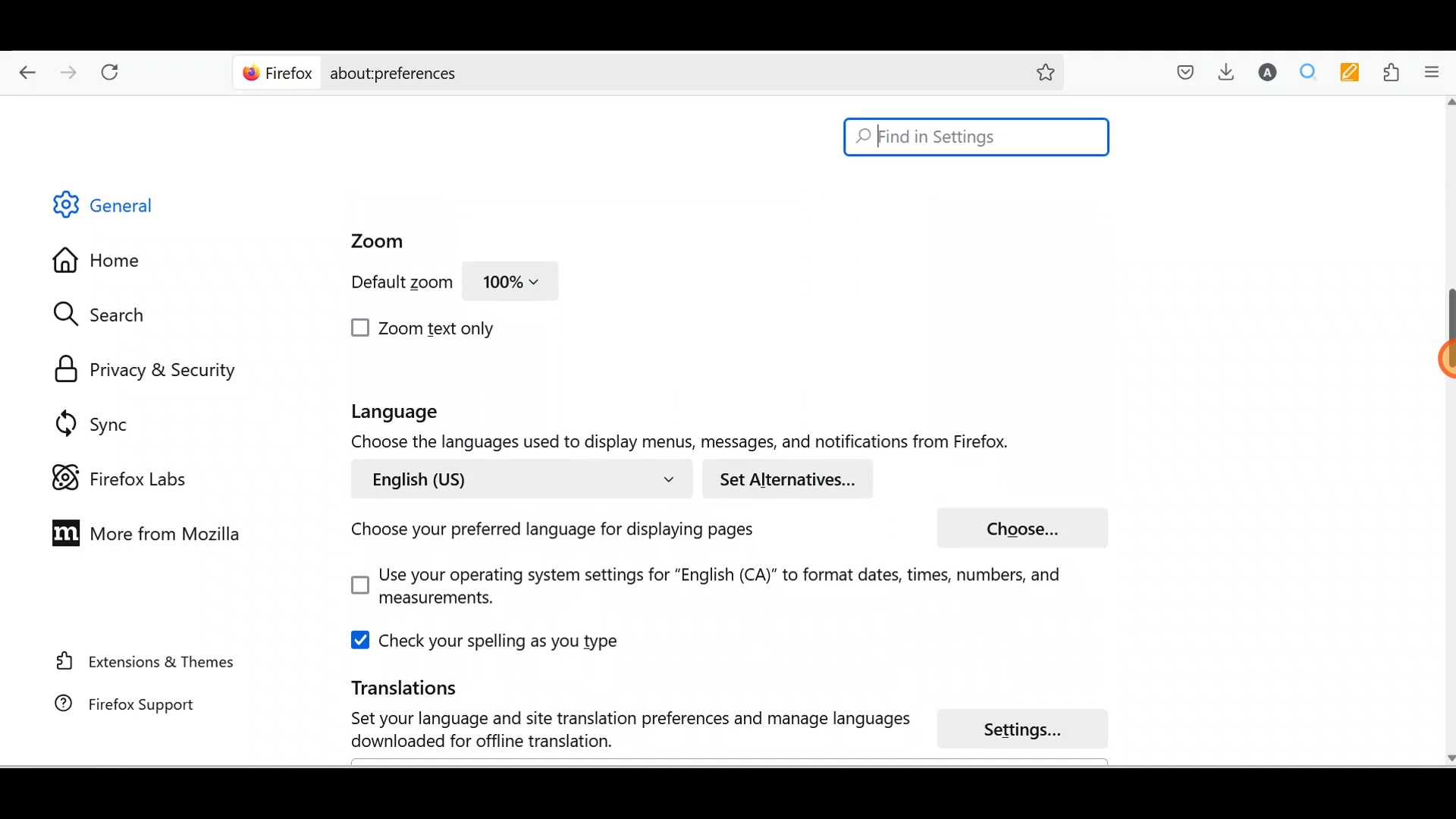 This screenshot has width=1456, height=819. Describe the element at coordinates (694, 444) in the screenshot. I see `Choose the languages used to display menu, messages and notifications from Firefox` at that location.